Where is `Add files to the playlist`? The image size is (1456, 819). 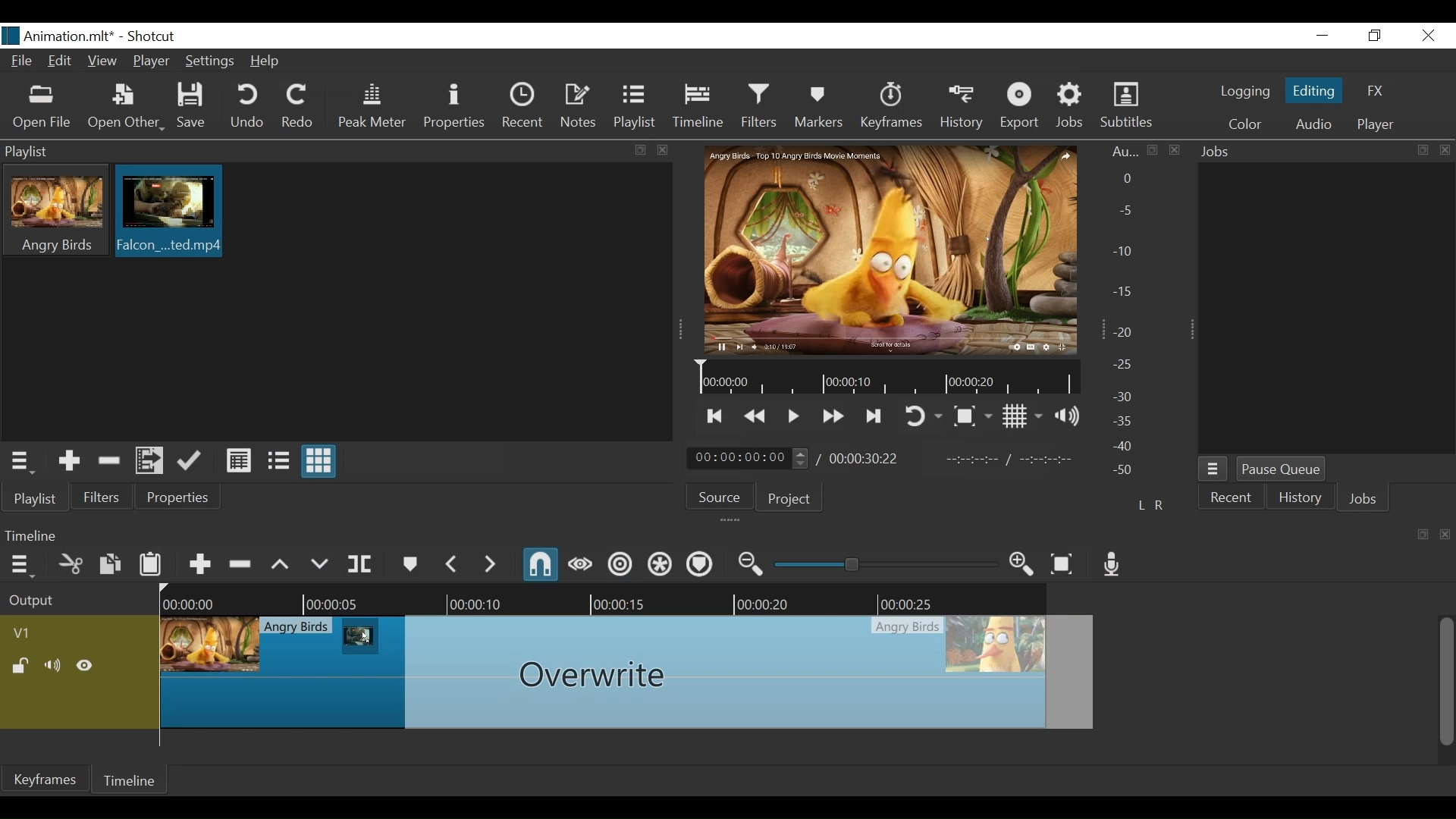 Add files to the playlist is located at coordinates (149, 460).